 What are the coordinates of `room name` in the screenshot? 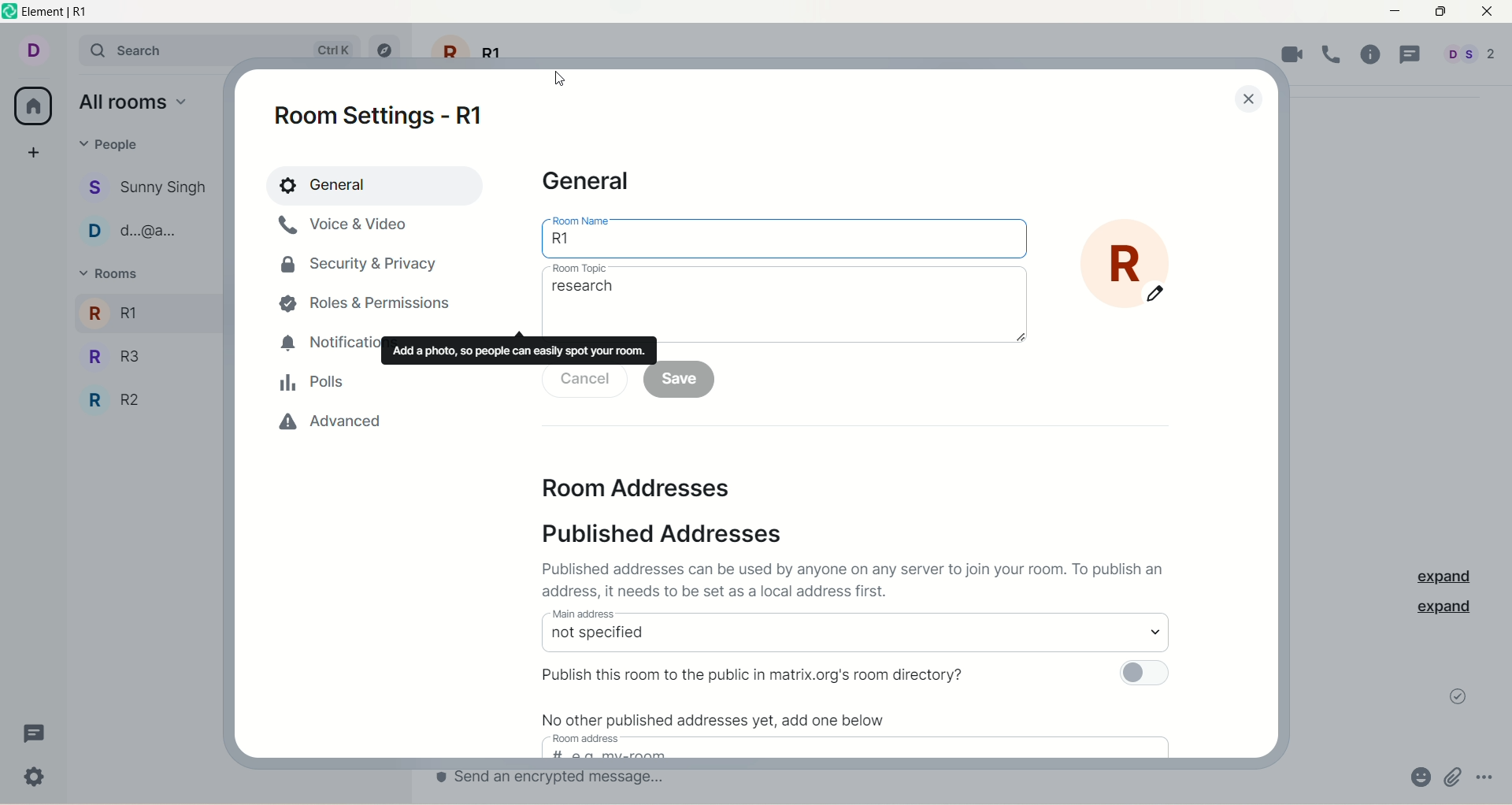 It's located at (780, 234).